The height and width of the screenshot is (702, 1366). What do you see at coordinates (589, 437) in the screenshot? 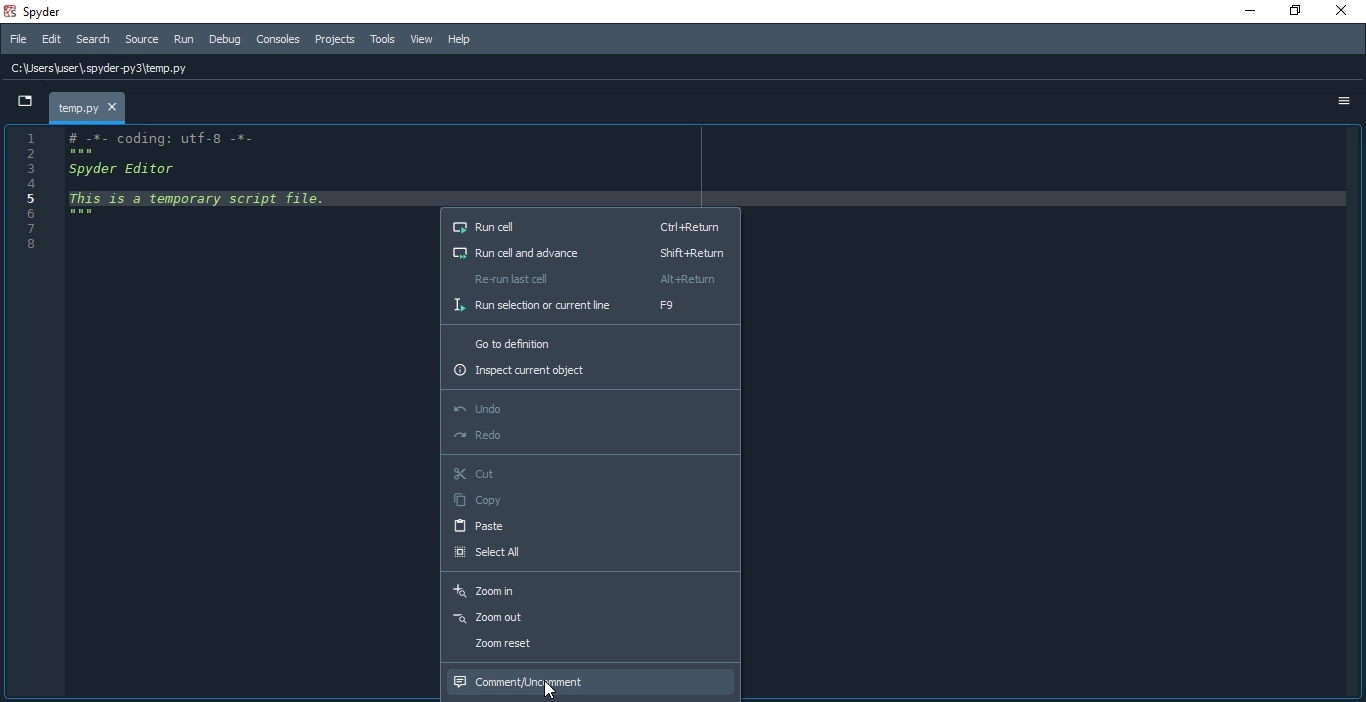
I see `Redo` at bounding box center [589, 437].